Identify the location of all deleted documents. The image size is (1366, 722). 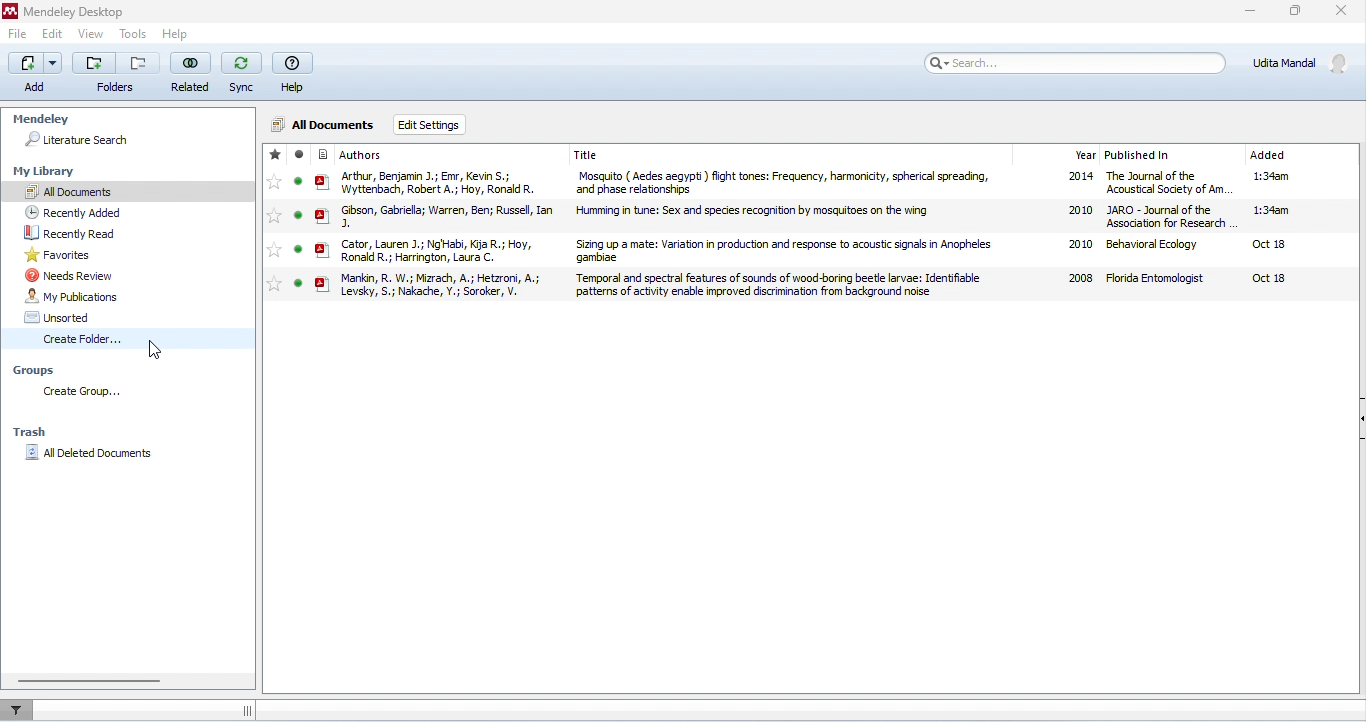
(94, 453).